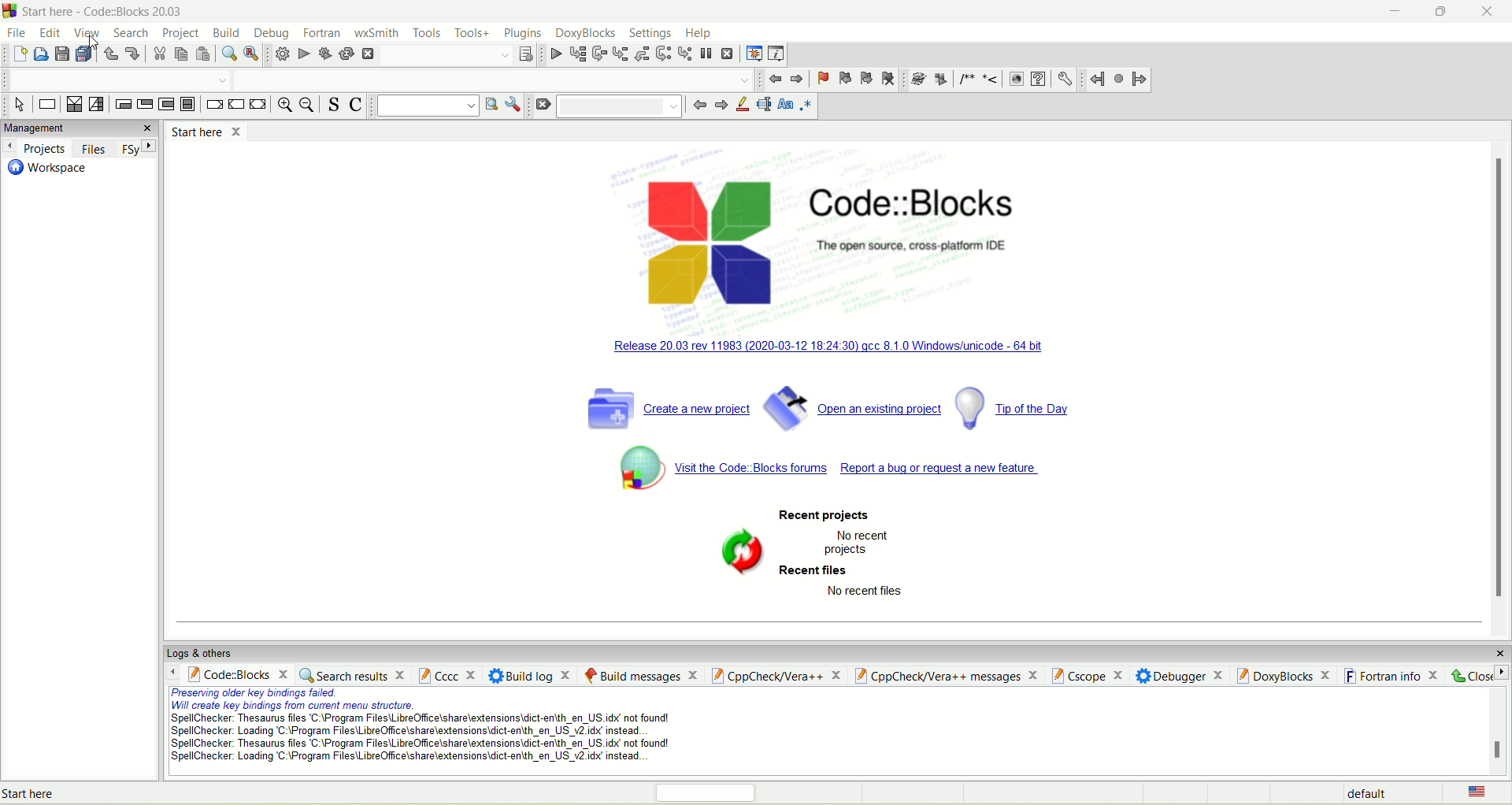  Describe the element at coordinates (122, 104) in the screenshot. I see `entry condition loop` at that location.